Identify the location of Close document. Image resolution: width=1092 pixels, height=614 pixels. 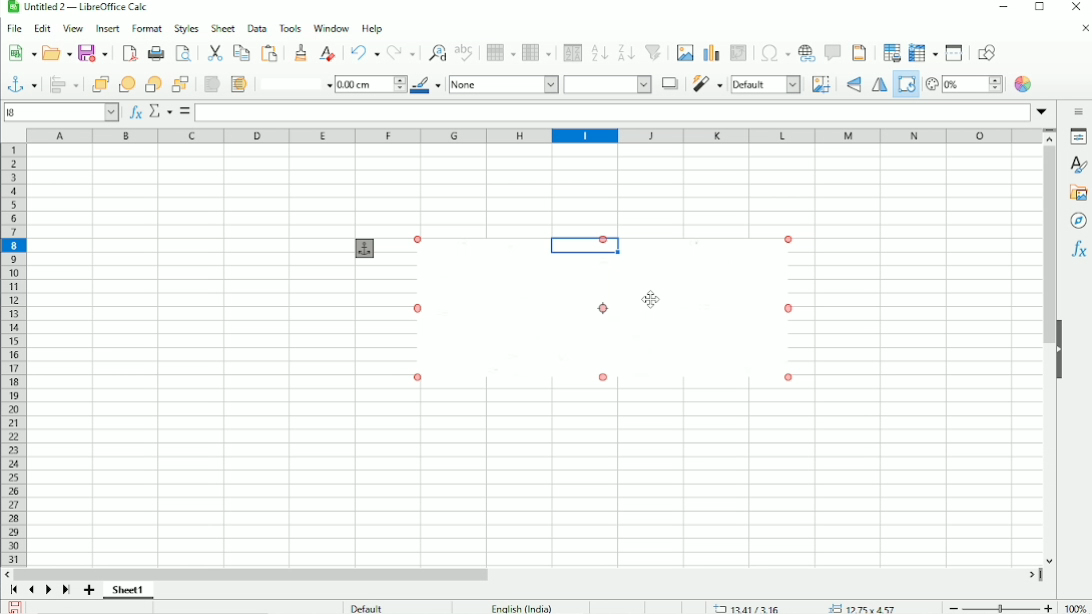
(1084, 29).